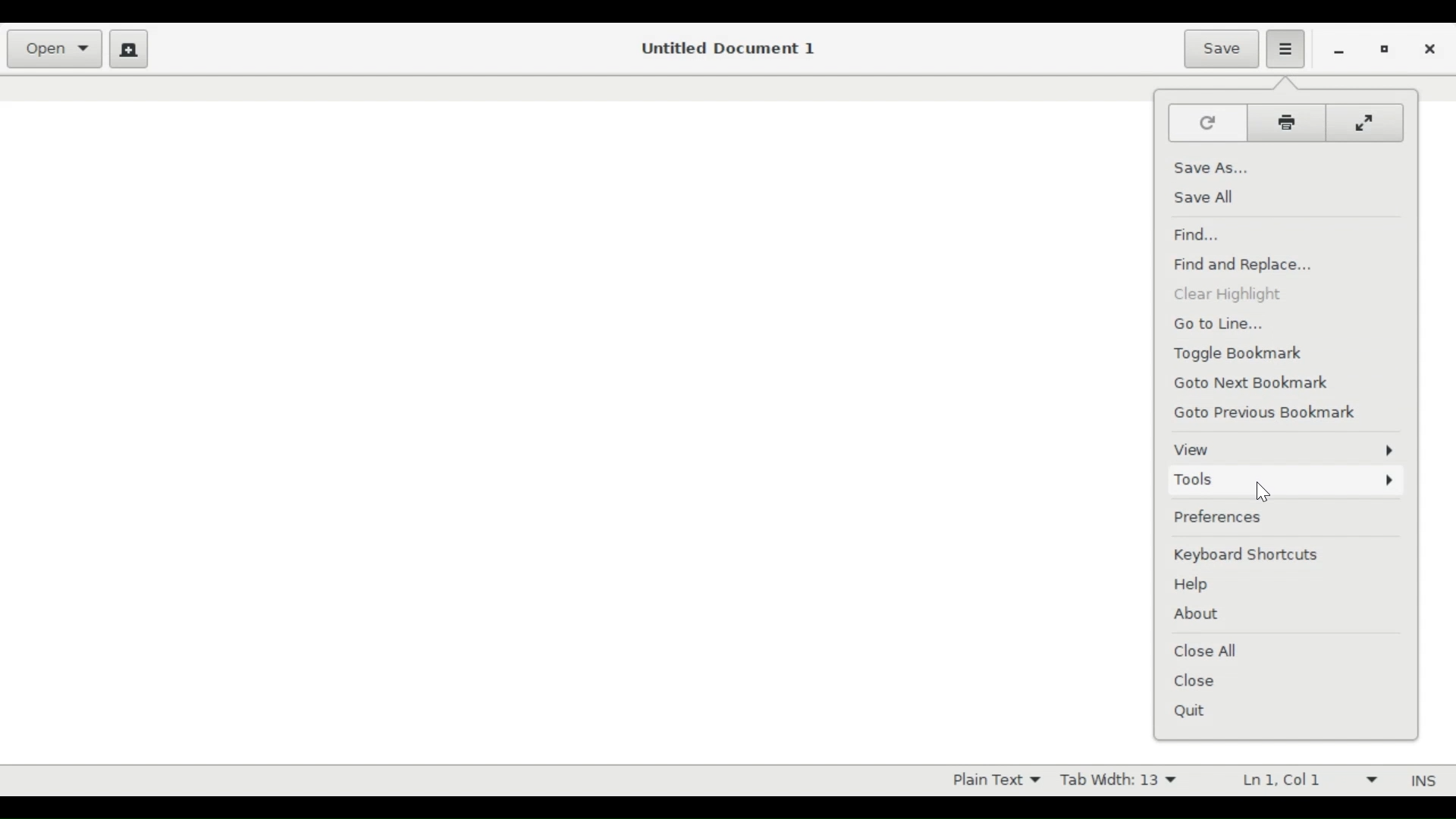  Describe the element at coordinates (130, 49) in the screenshot. I see `Create new document` at that location.